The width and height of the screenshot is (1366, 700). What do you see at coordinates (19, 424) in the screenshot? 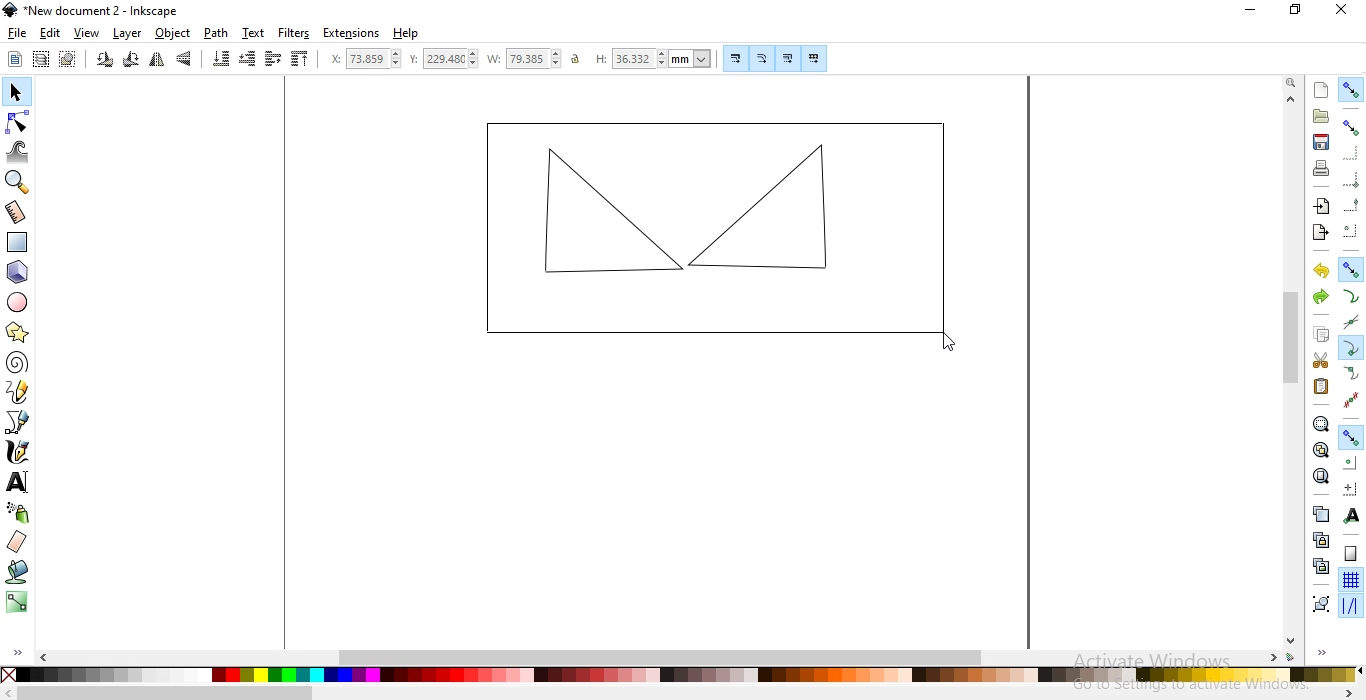
I see `draw bezier curves and straight lines` at bounding box center [19, 424].